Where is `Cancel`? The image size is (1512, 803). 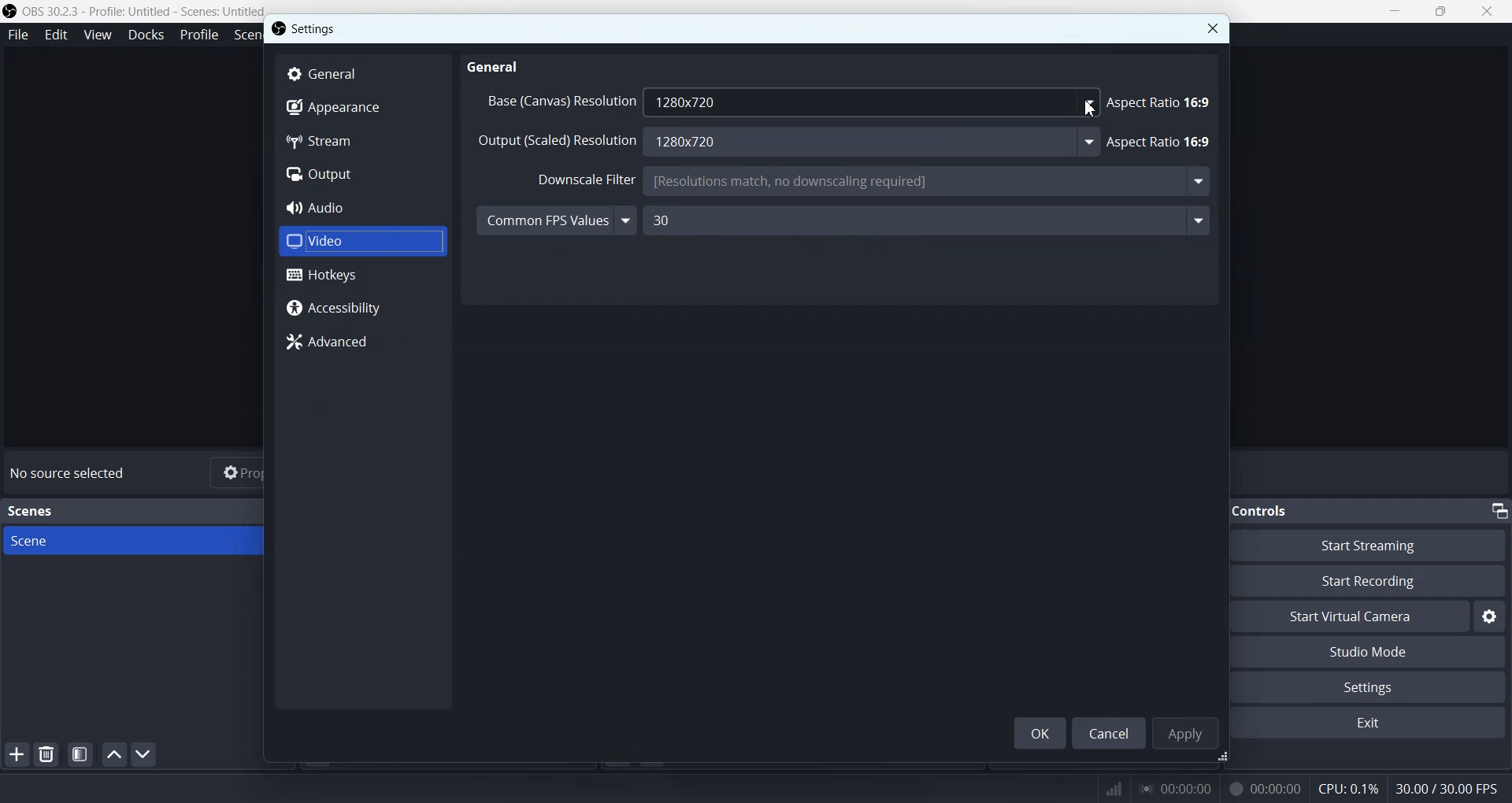 Cancel is located at coordinates (1110, 732).